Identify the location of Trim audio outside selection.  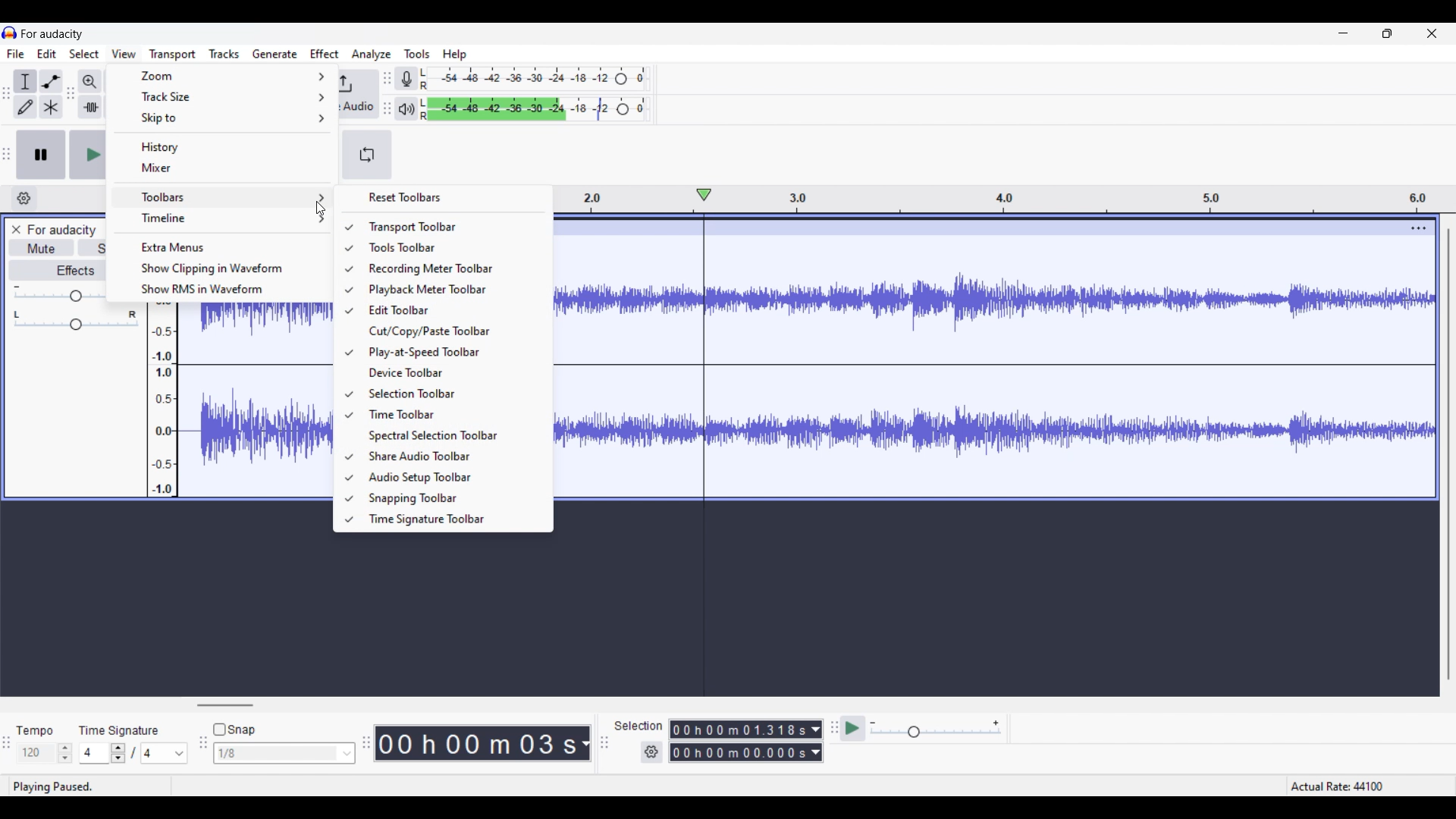
(90, 107).